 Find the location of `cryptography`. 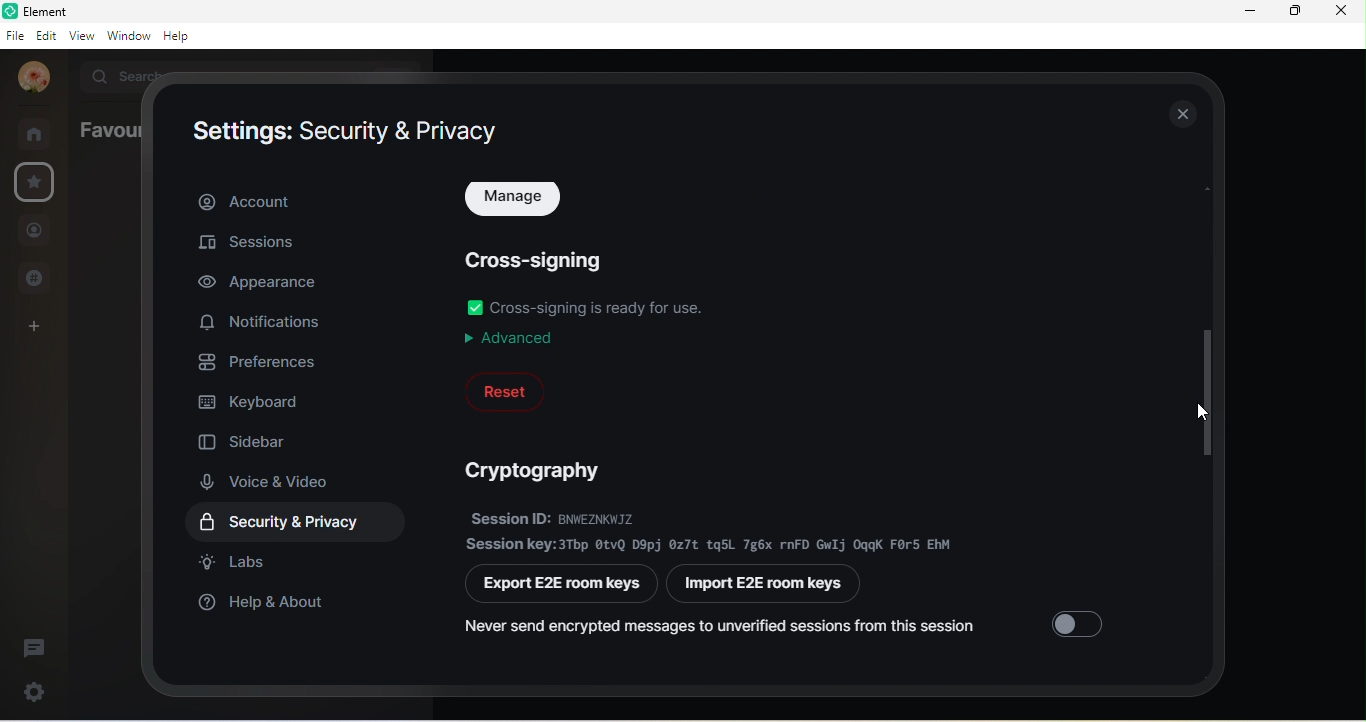

cryptography is located at coordinates (541, 470).